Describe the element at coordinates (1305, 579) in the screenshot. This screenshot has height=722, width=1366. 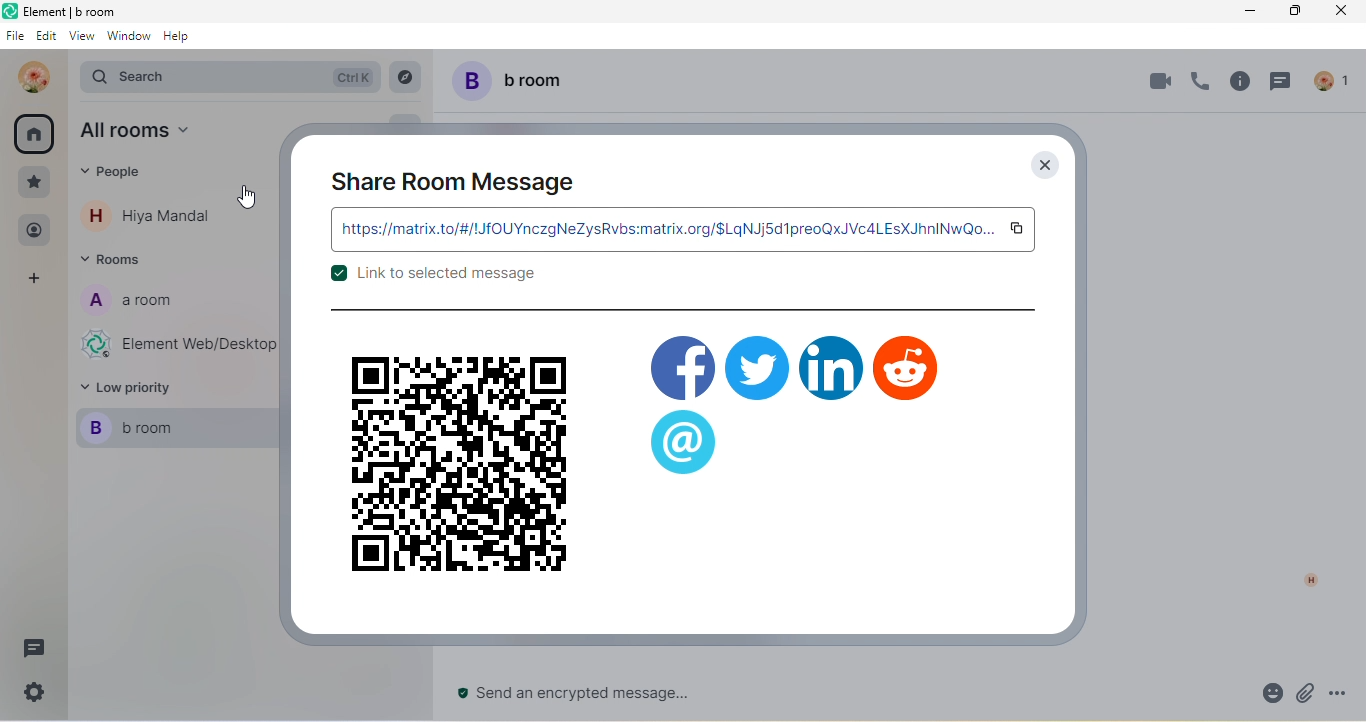
I see `h` at that location.